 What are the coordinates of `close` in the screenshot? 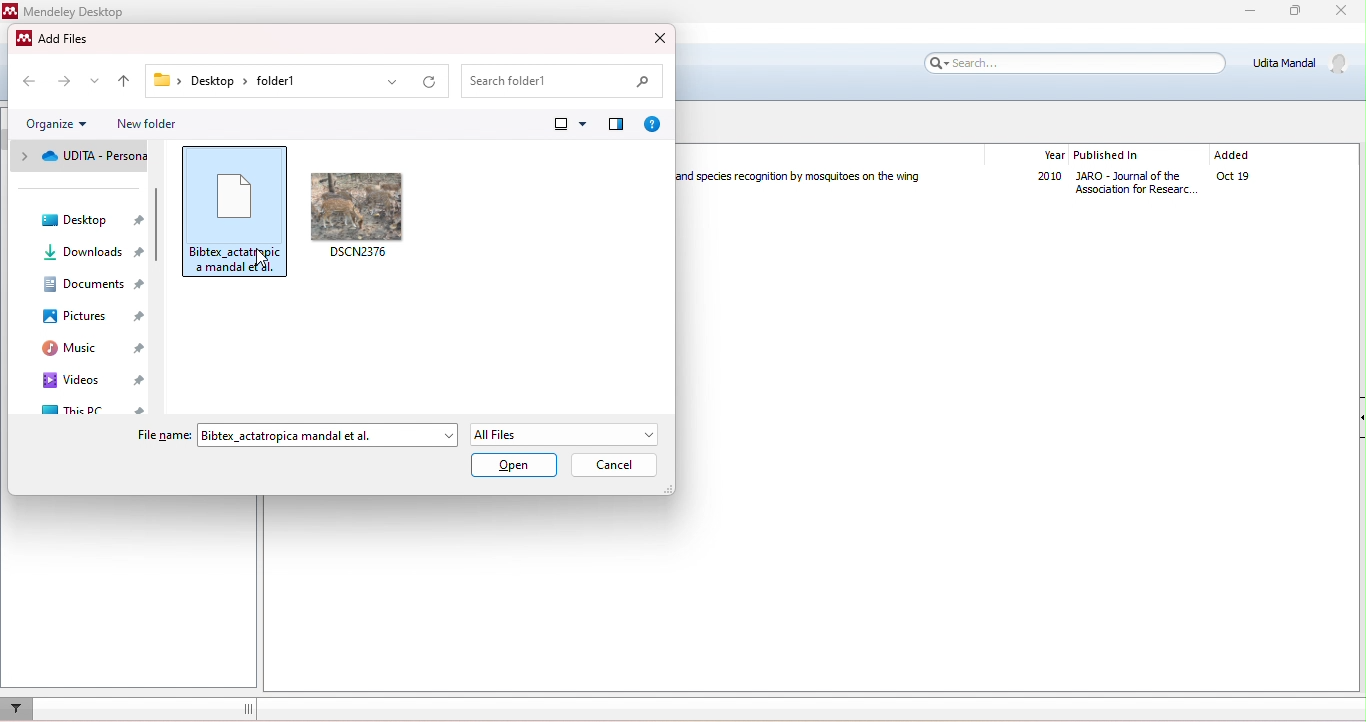 It's located at (657, 37).